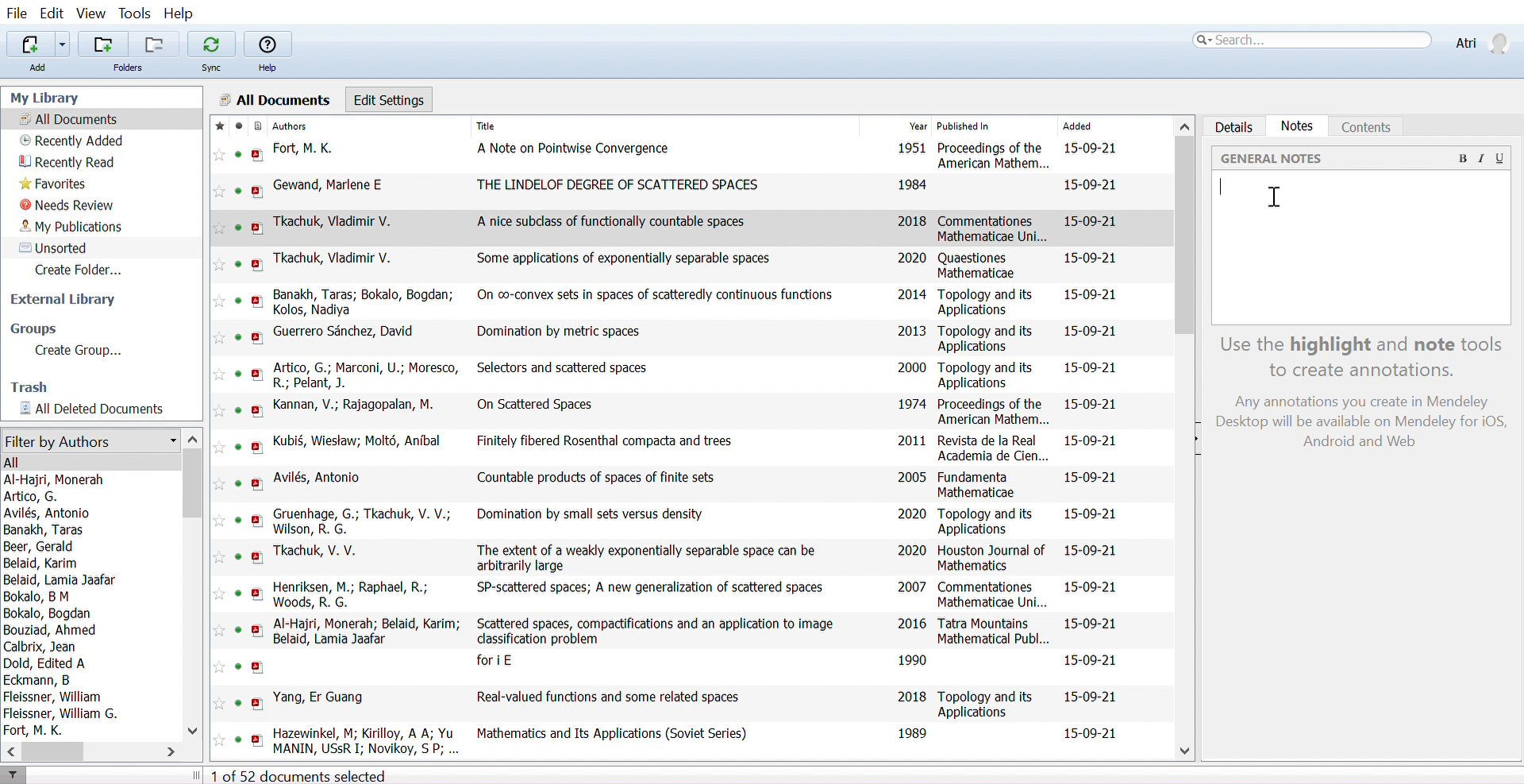  What do you see at coordinates (916, 734) in the screenshot?
I see `1989` at bounding box center [916, 734].